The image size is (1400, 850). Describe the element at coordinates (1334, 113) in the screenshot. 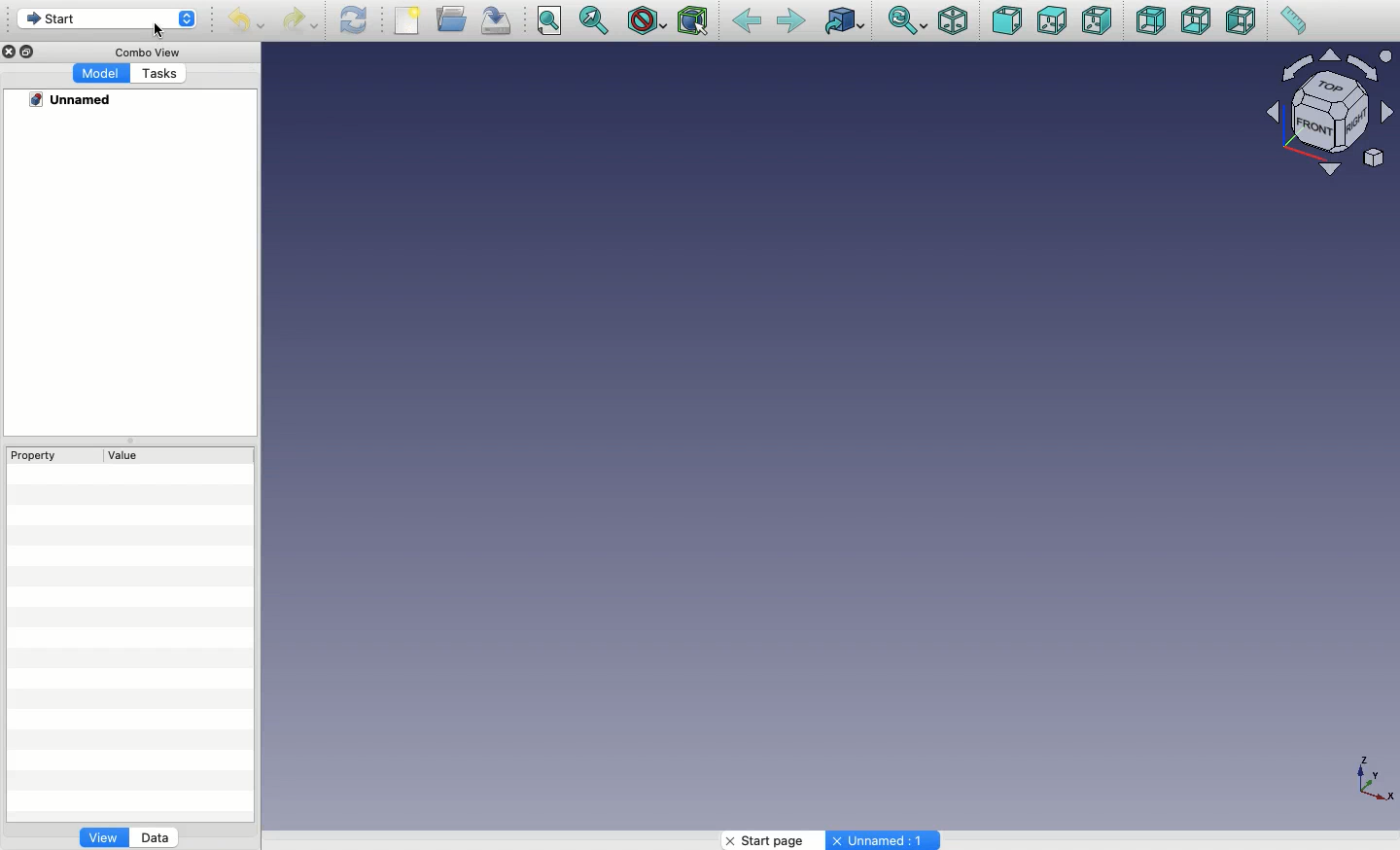

I see `Navigator` at that location.